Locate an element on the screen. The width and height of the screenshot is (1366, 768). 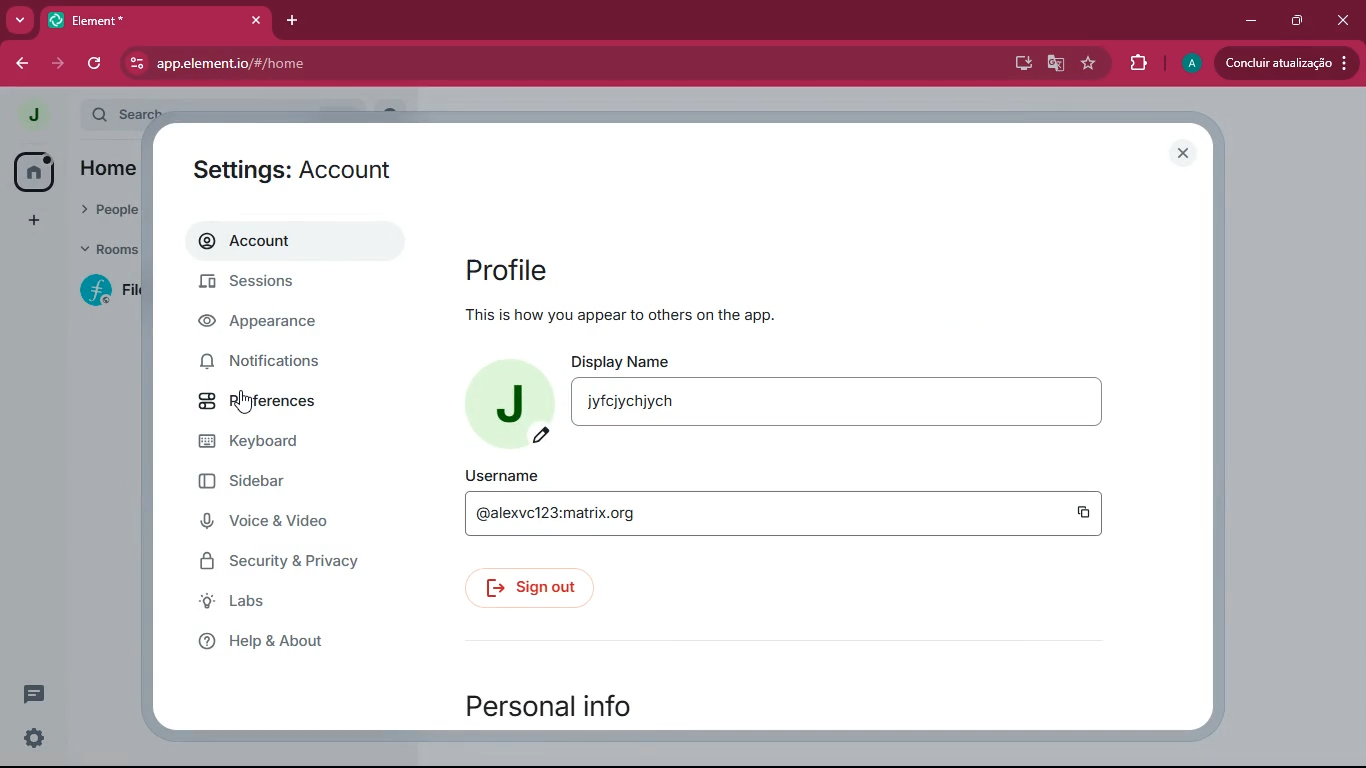
close tab is located at coordinates (257, 21).